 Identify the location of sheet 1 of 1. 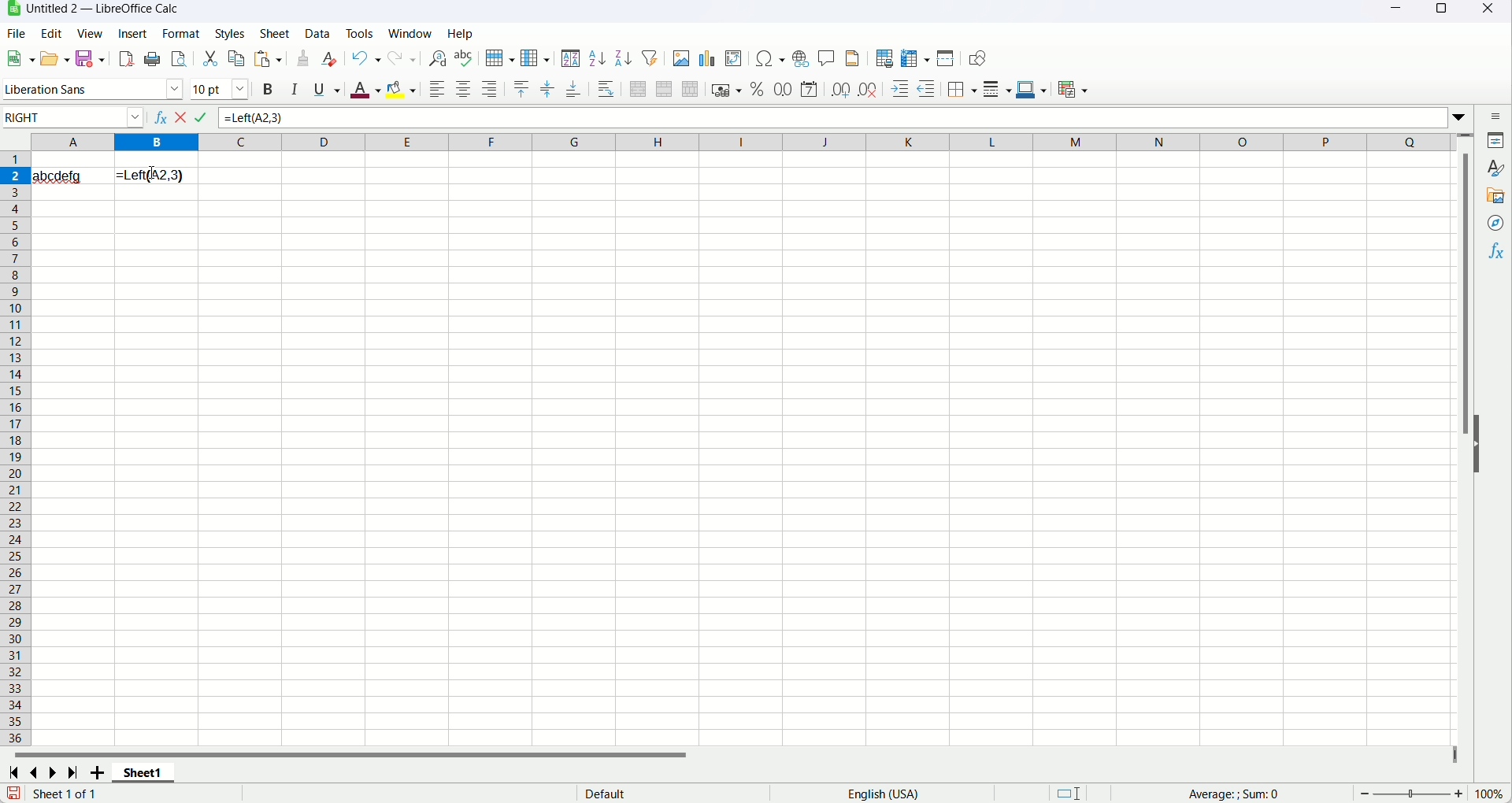
(69, 794).